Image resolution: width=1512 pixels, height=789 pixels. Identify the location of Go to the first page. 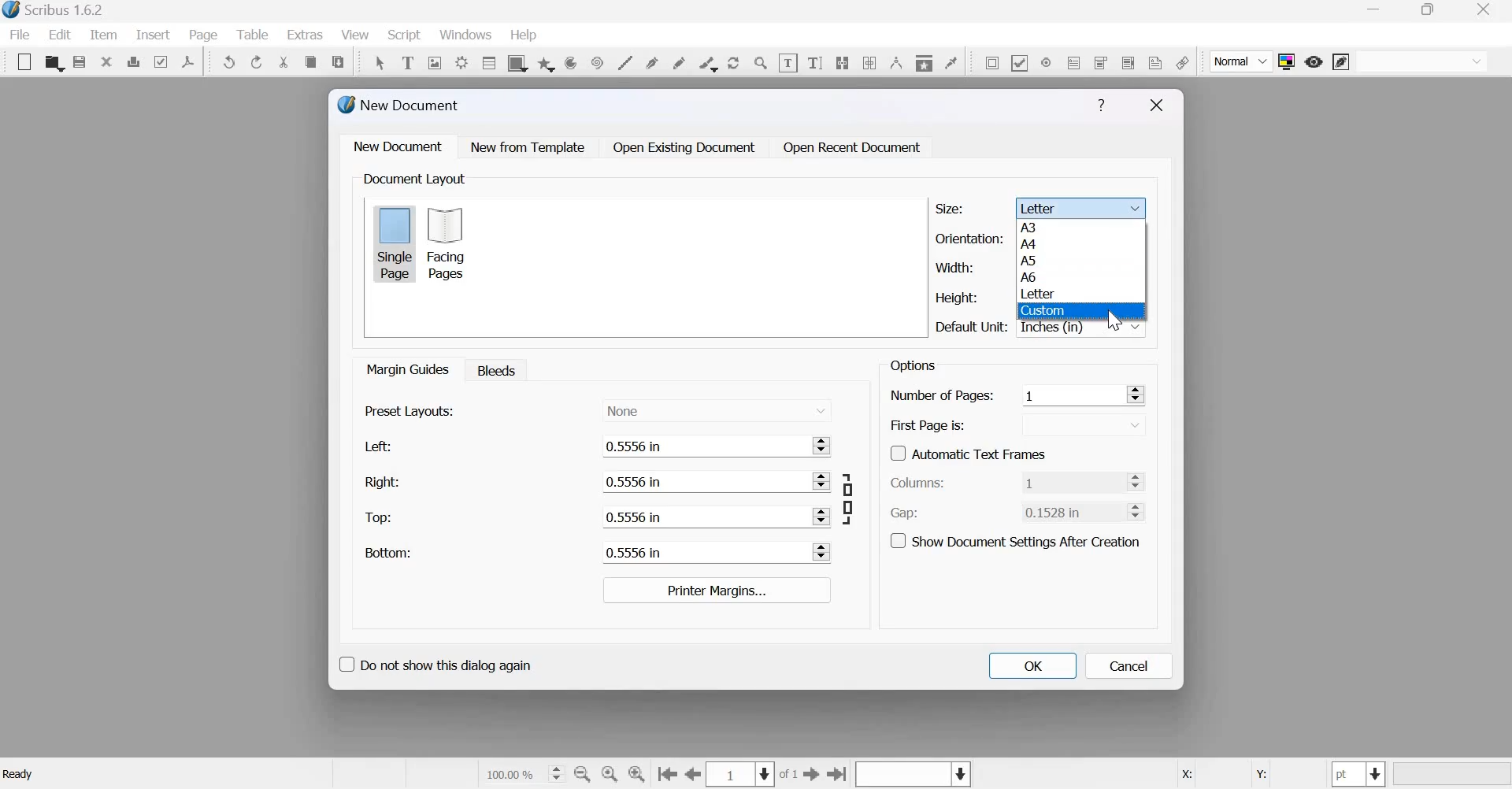
(667, 775).